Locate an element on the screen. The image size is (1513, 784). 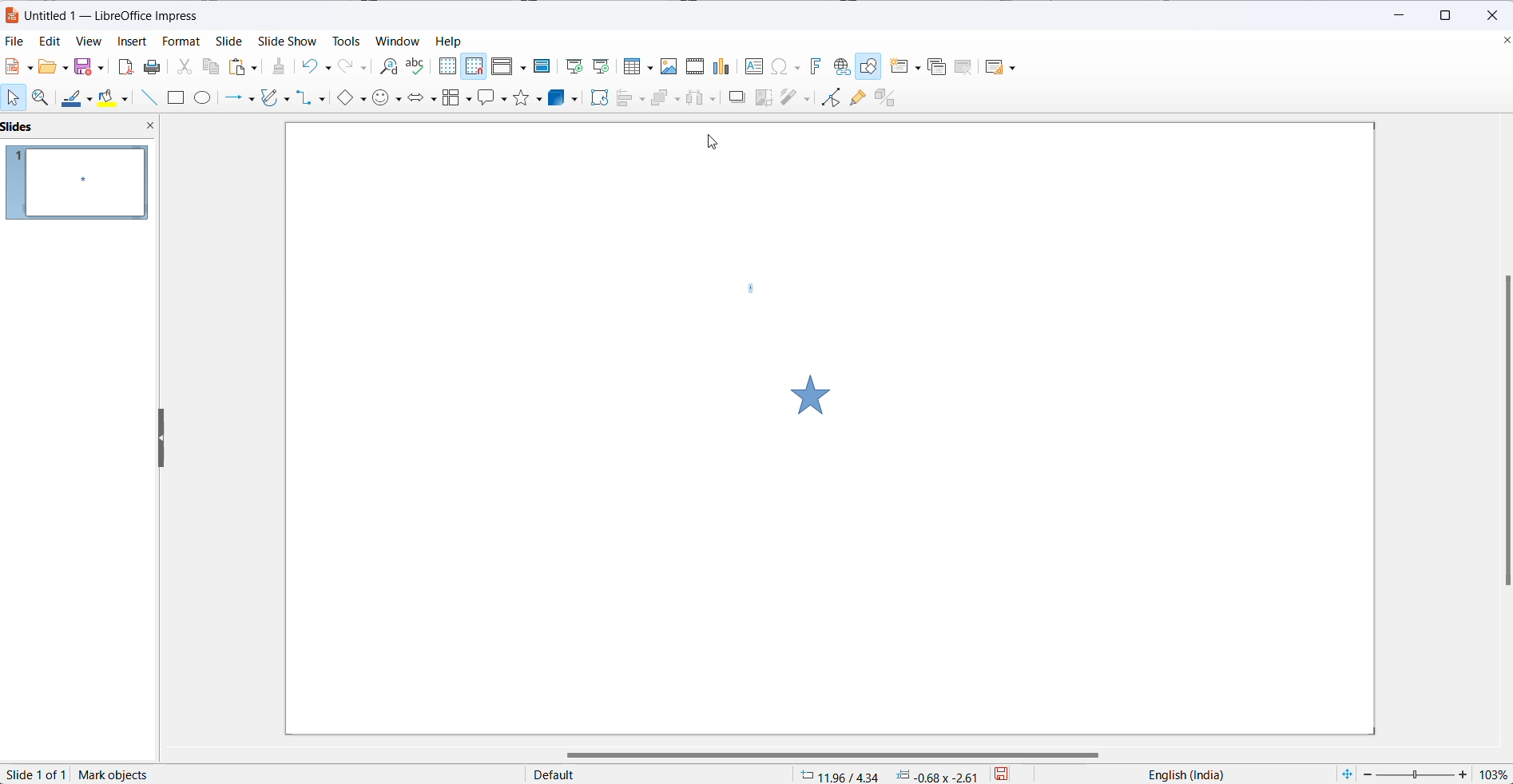
fit slide to current window is located at coordinates (1347, 774).